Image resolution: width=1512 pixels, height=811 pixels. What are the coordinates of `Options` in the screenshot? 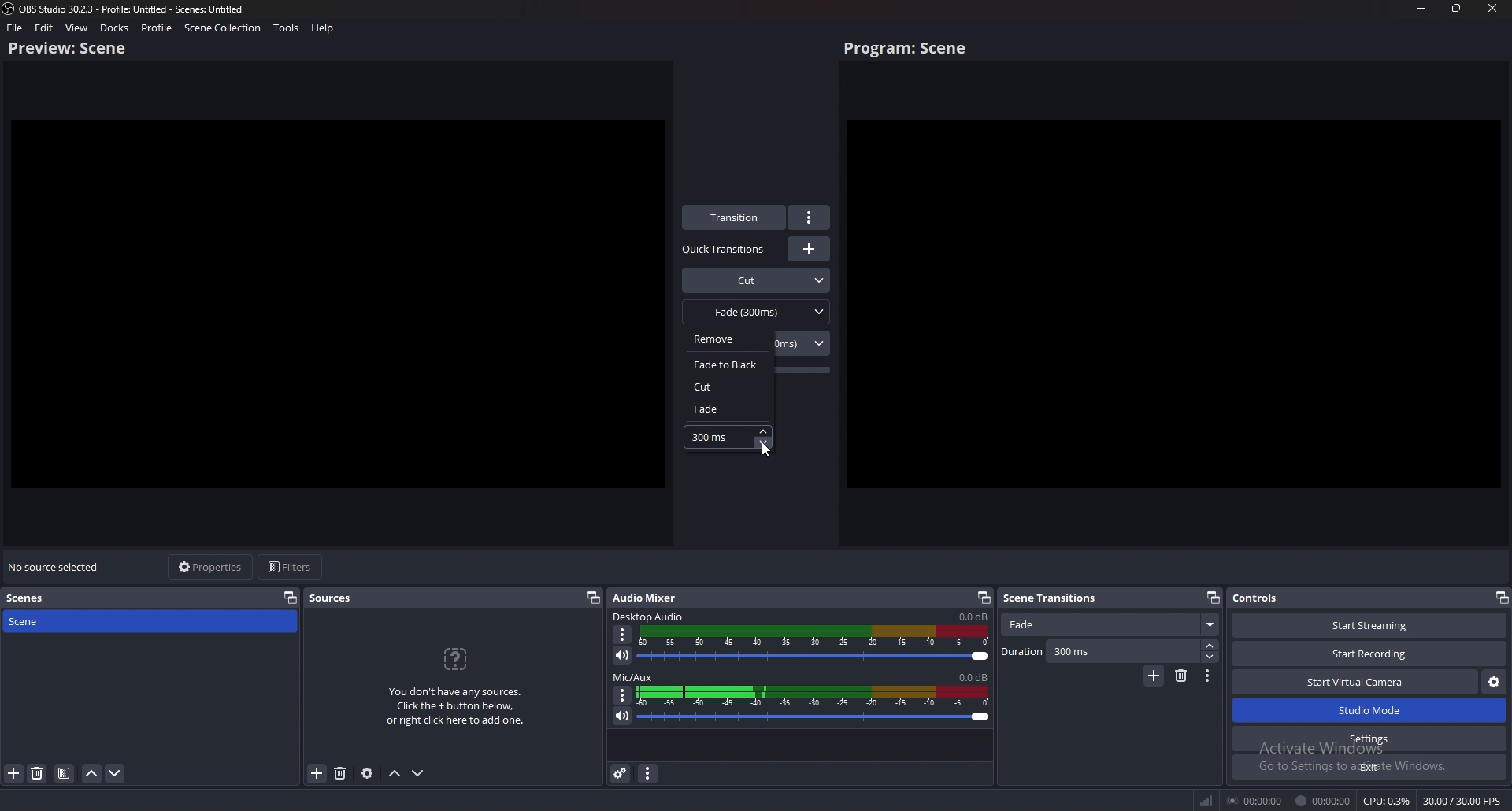 It's located at (1208, 677).